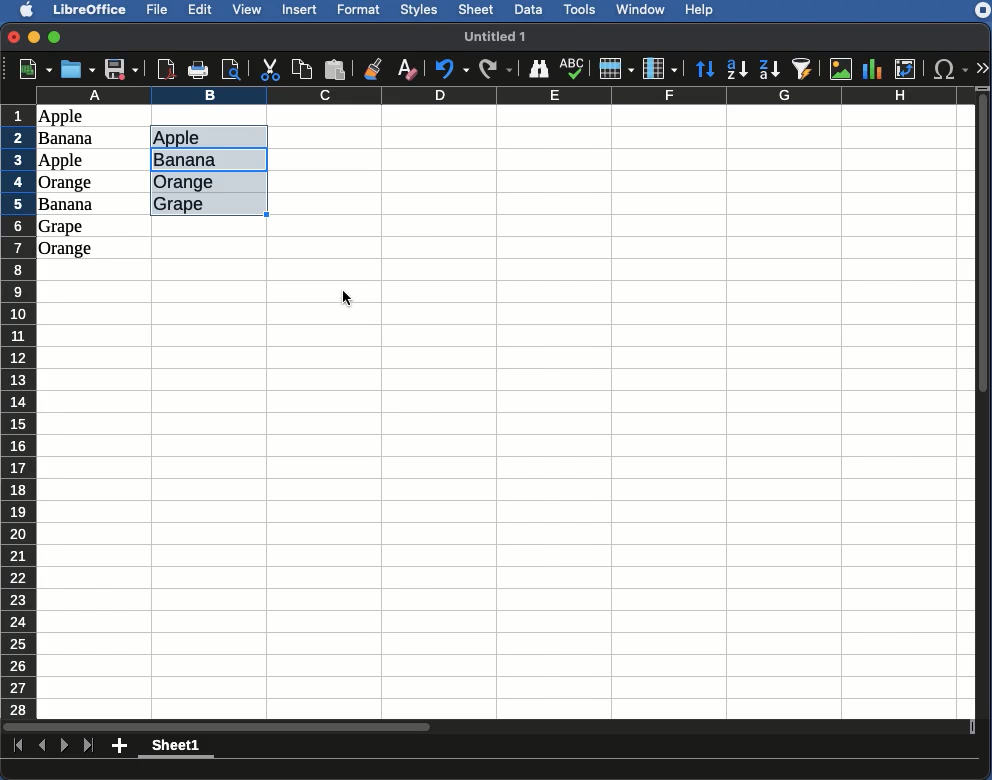 The height and width of the screenshot is (780, 992). I want to click on Grape, so click(63, 227).